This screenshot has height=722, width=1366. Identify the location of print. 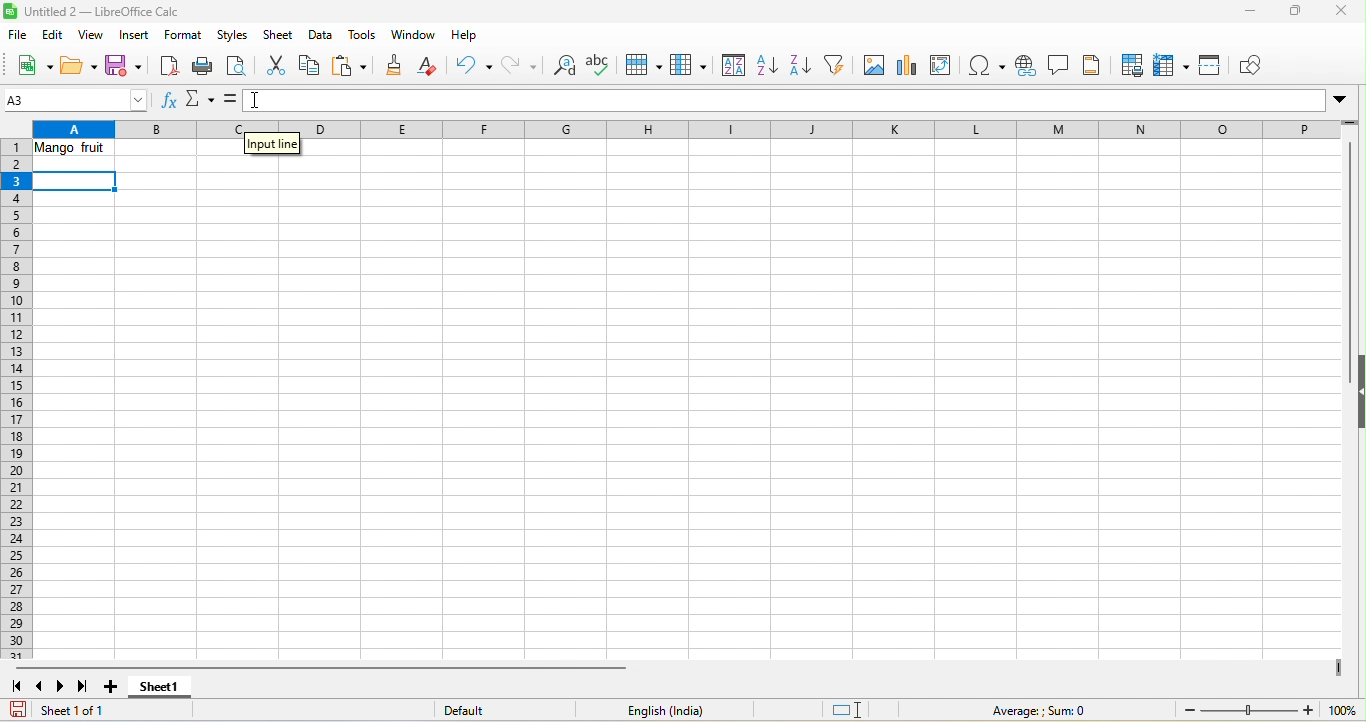
(202, 66).